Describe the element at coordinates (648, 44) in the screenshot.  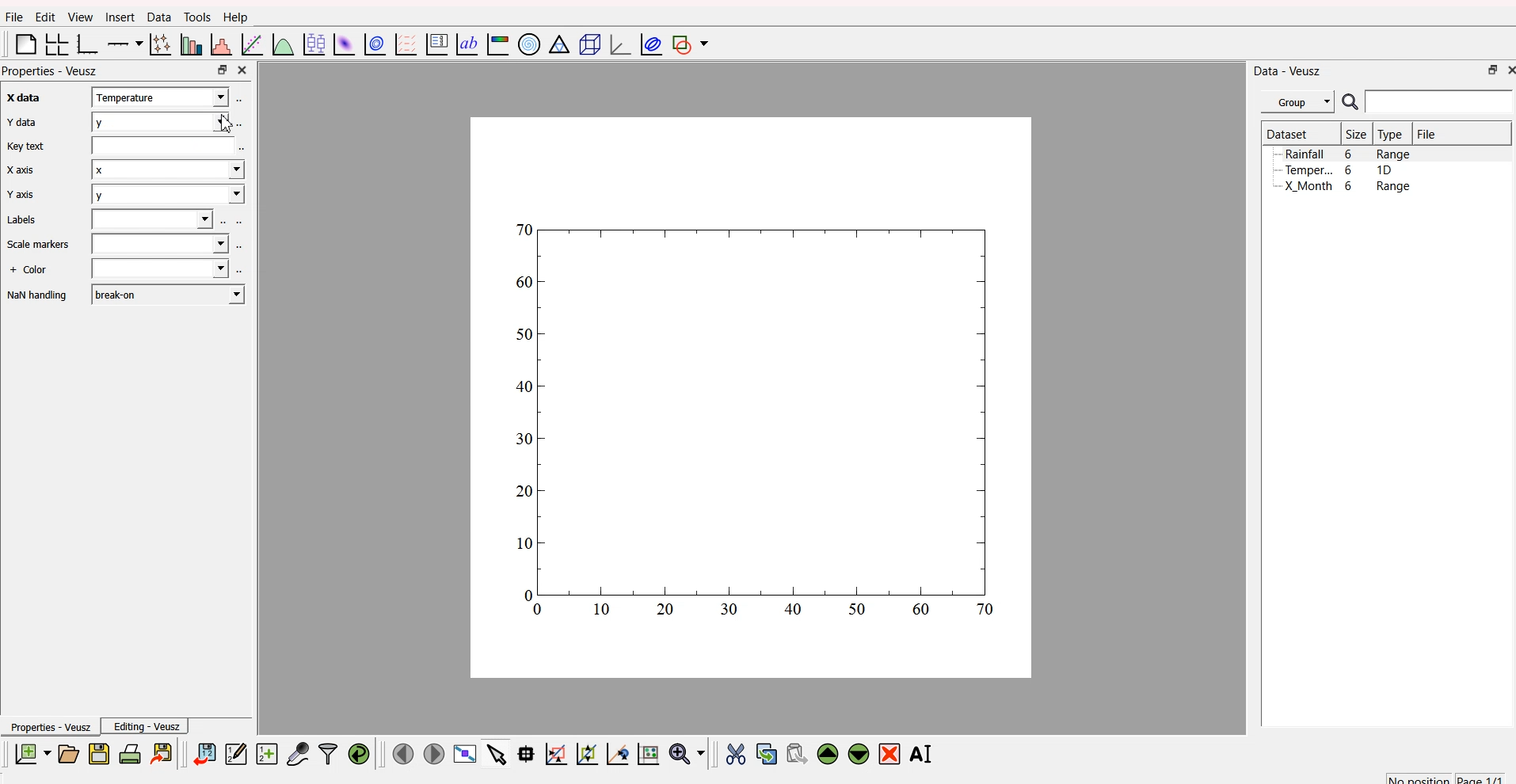
I see `plot covariance ellipses` at that location.